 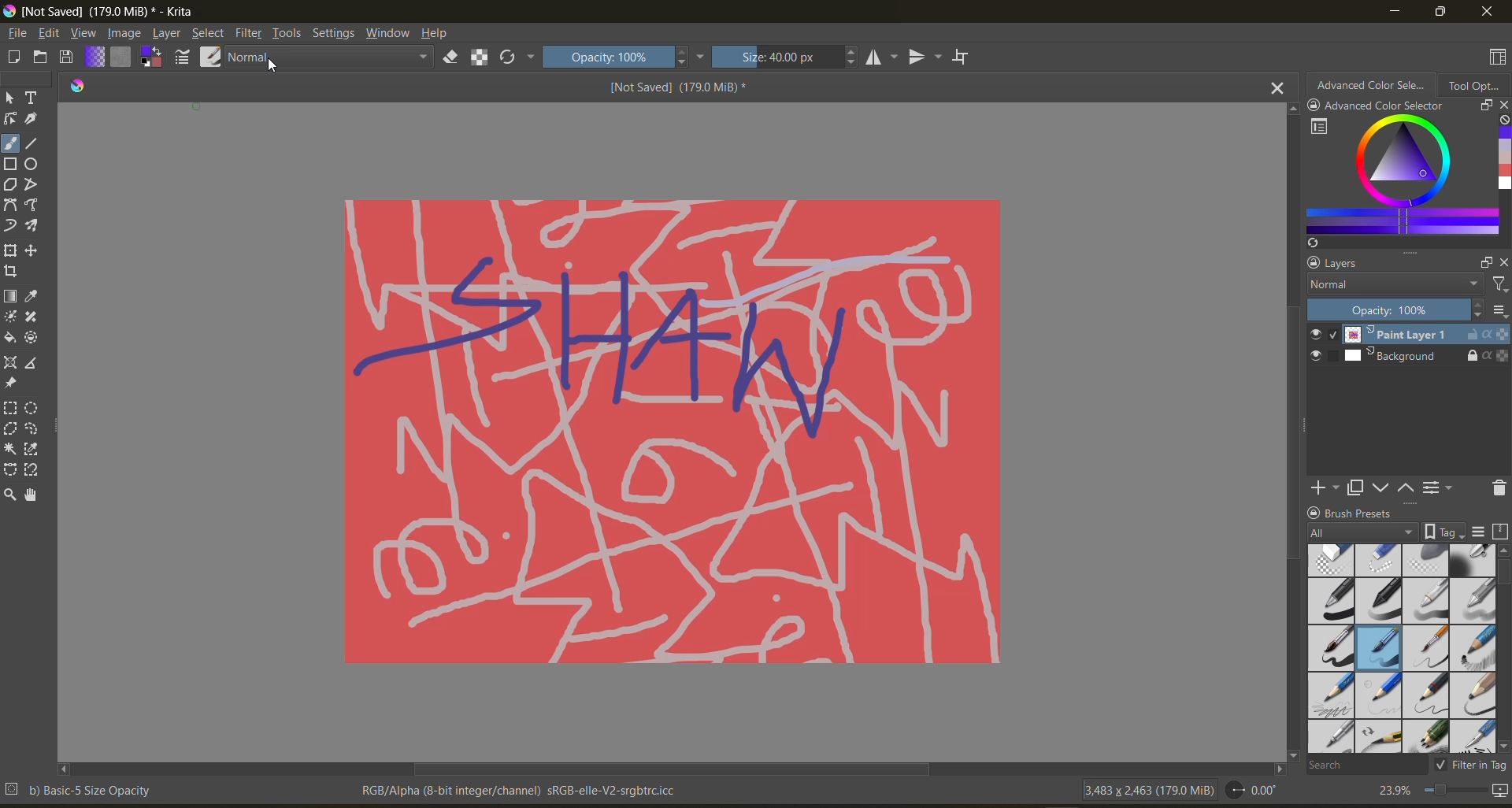 I want to click on wrap around mode, so click(x=963, y=56).